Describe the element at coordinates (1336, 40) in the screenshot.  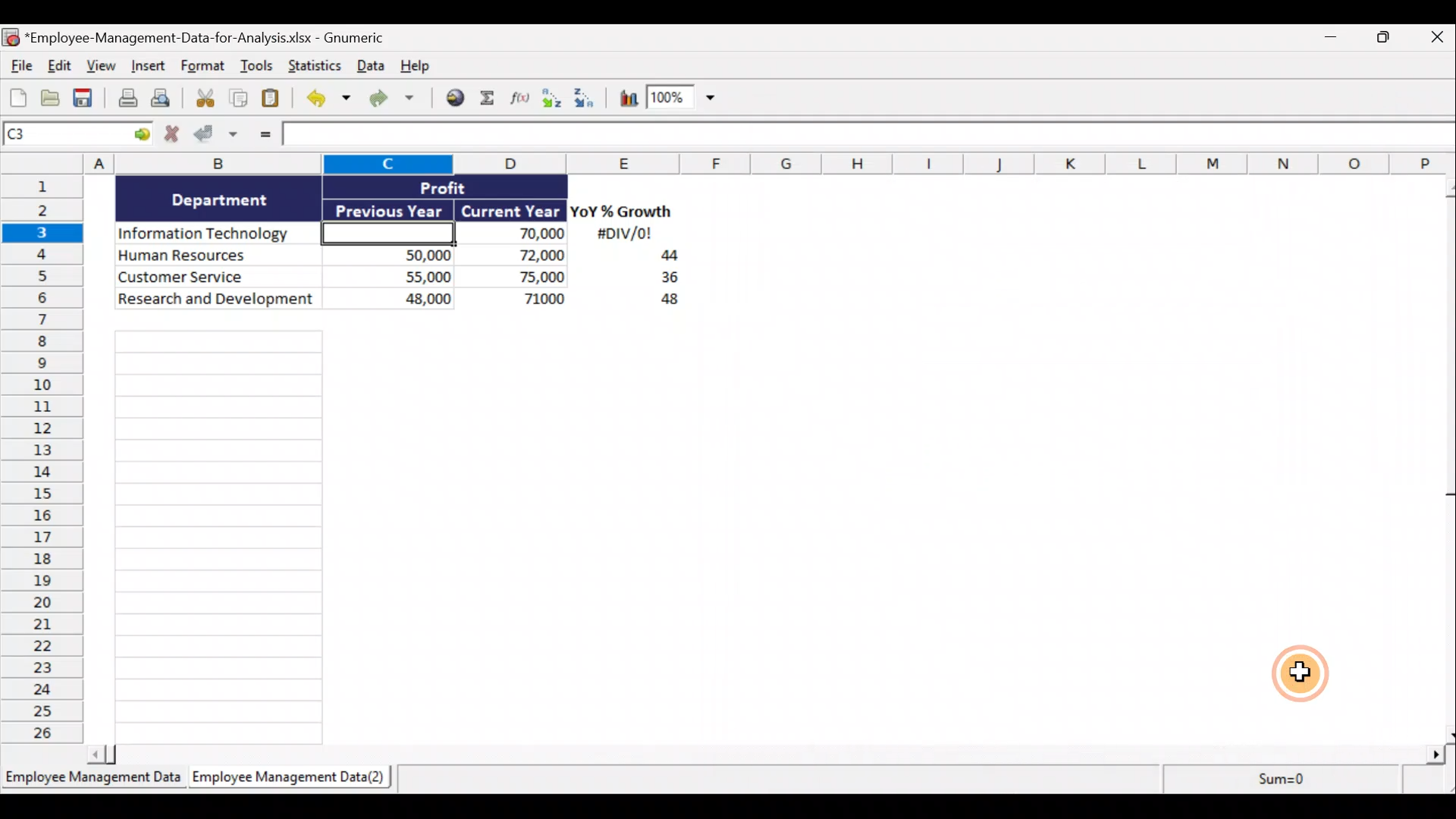
I see `Minimize` at that location.